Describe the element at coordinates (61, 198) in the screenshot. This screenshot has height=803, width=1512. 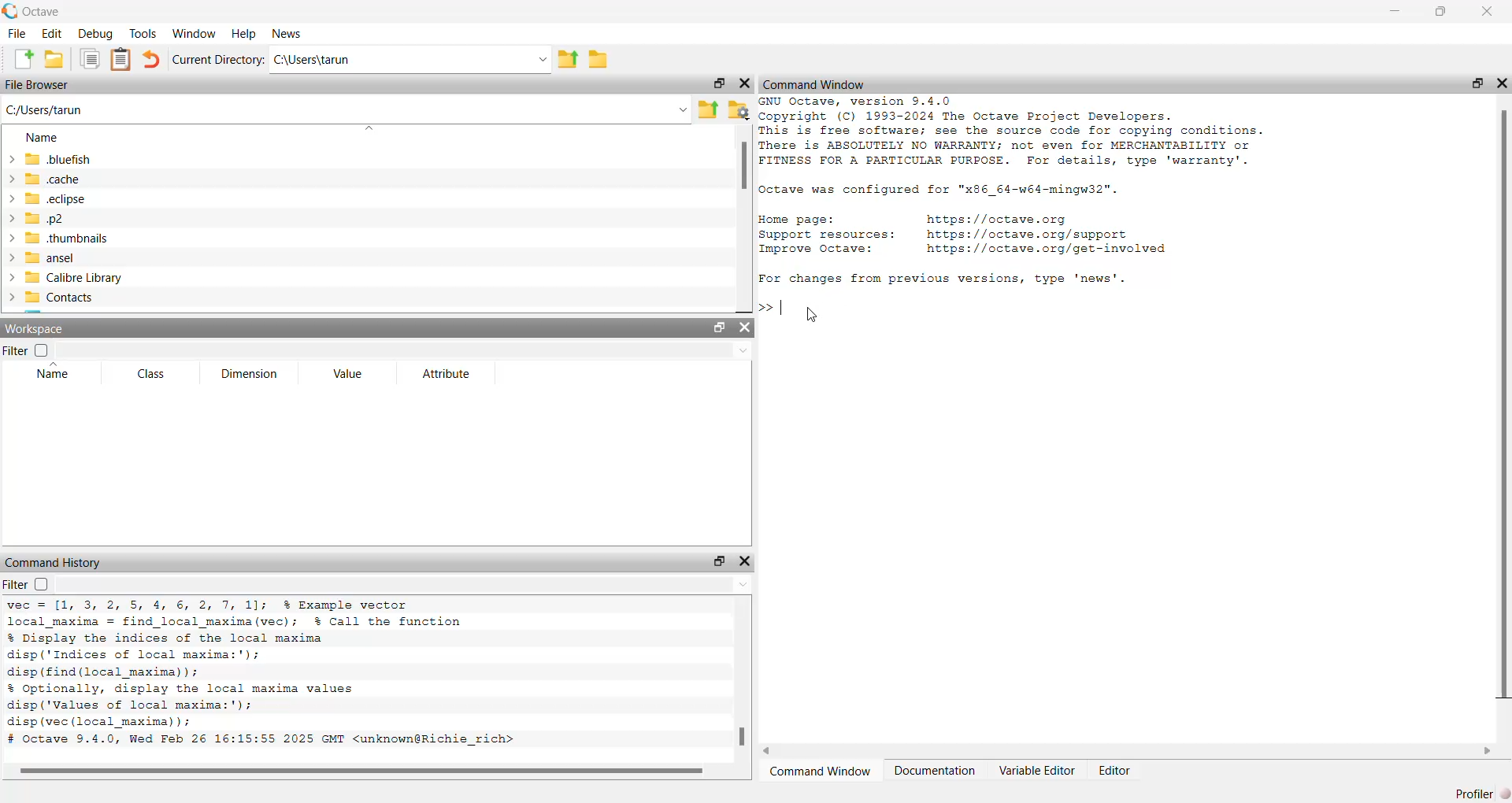
I see `.eclipse` at that location.